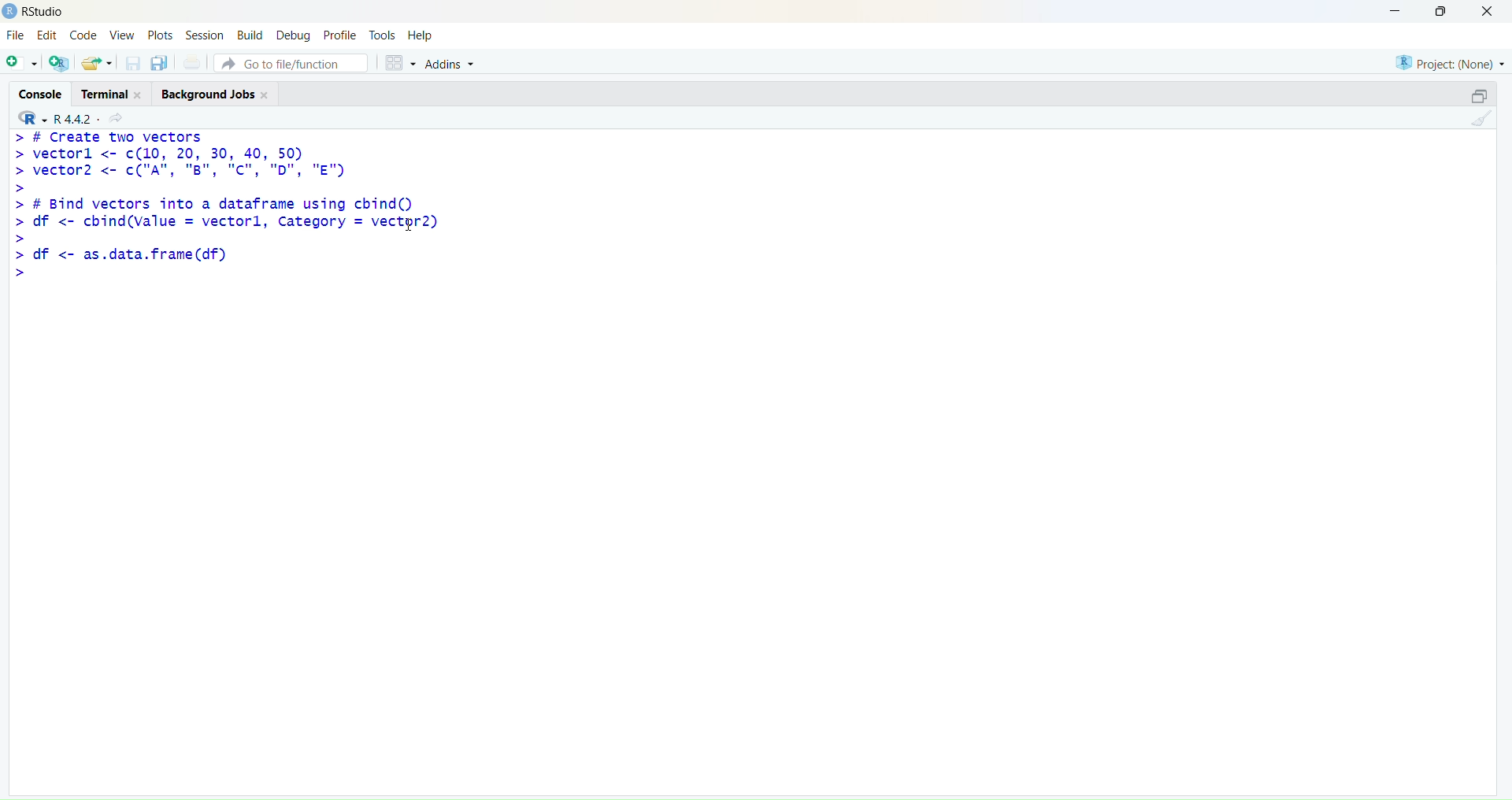 The width and height of the screenshot is (1512, 800). I want to click on New File, so click(21, 64).